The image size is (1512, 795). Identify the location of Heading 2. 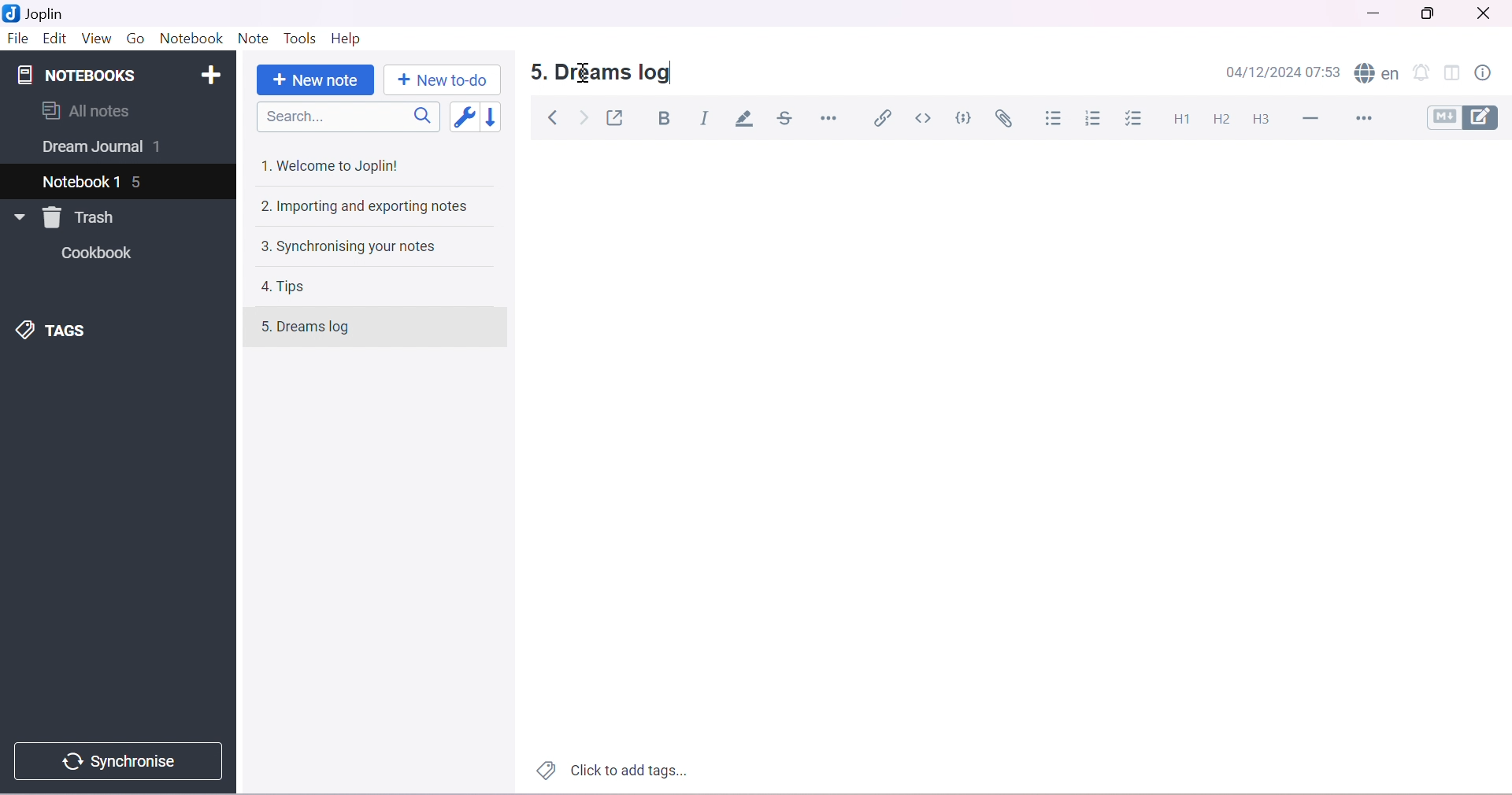
(1222, 120).